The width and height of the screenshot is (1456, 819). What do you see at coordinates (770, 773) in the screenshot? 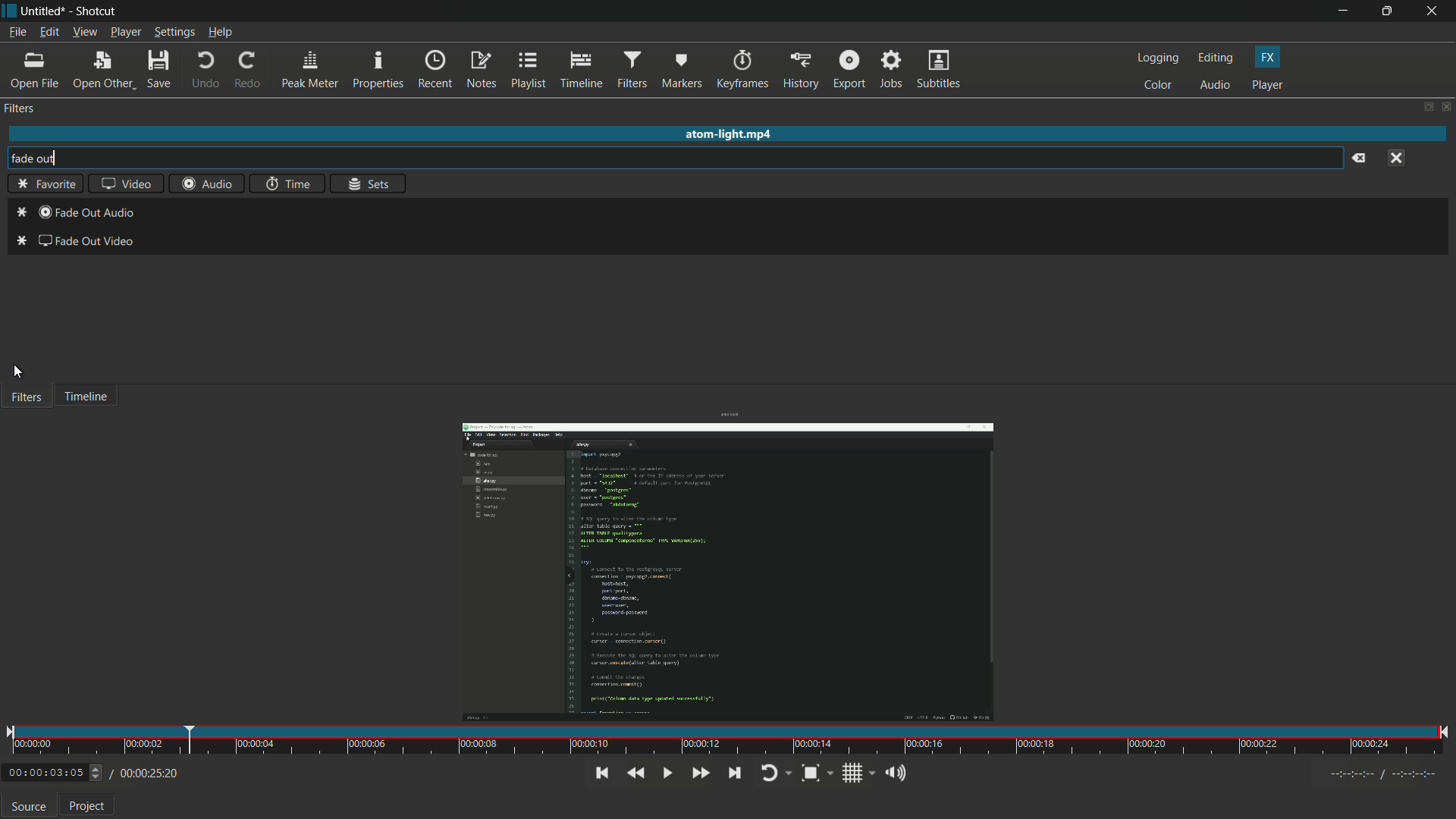
I see `toggle player looping` at bounding box center [770, 773].